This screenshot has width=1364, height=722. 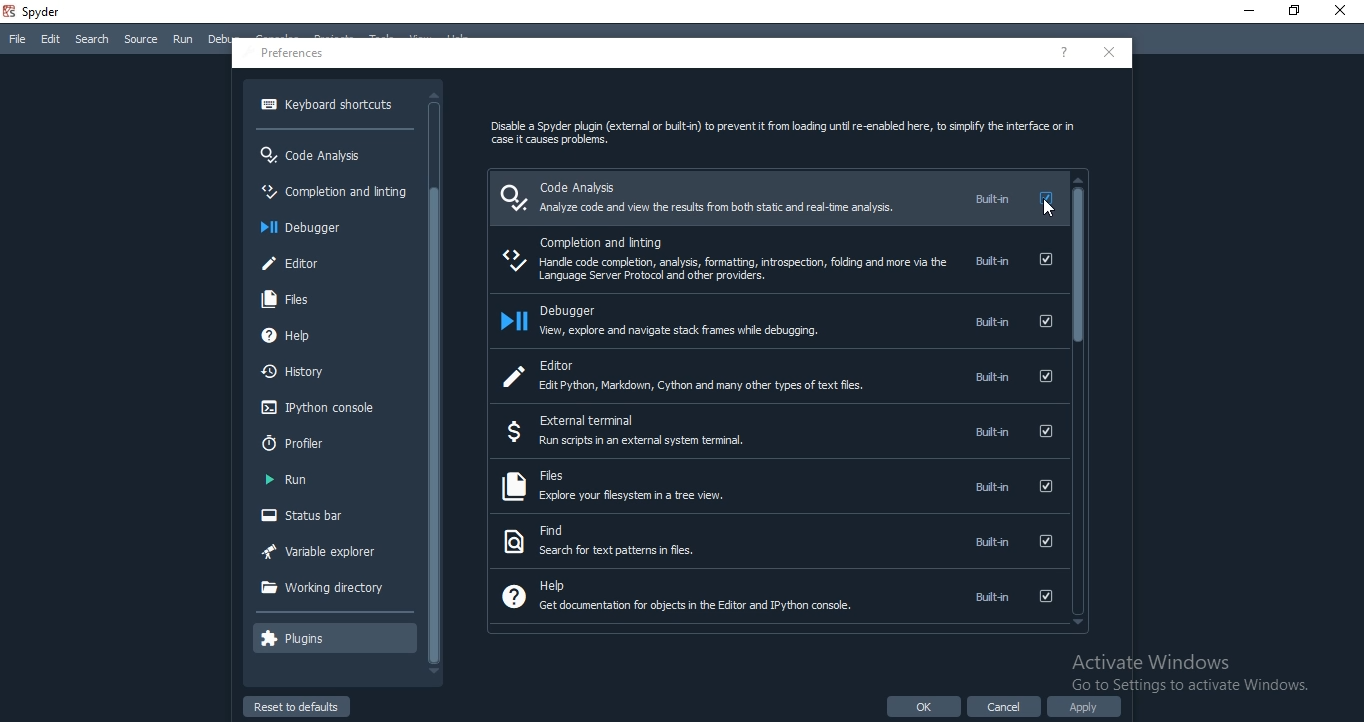 What do you see at coordinates (330, 297) in the screenshot?
I see `files` at bounding box center [330, 297].